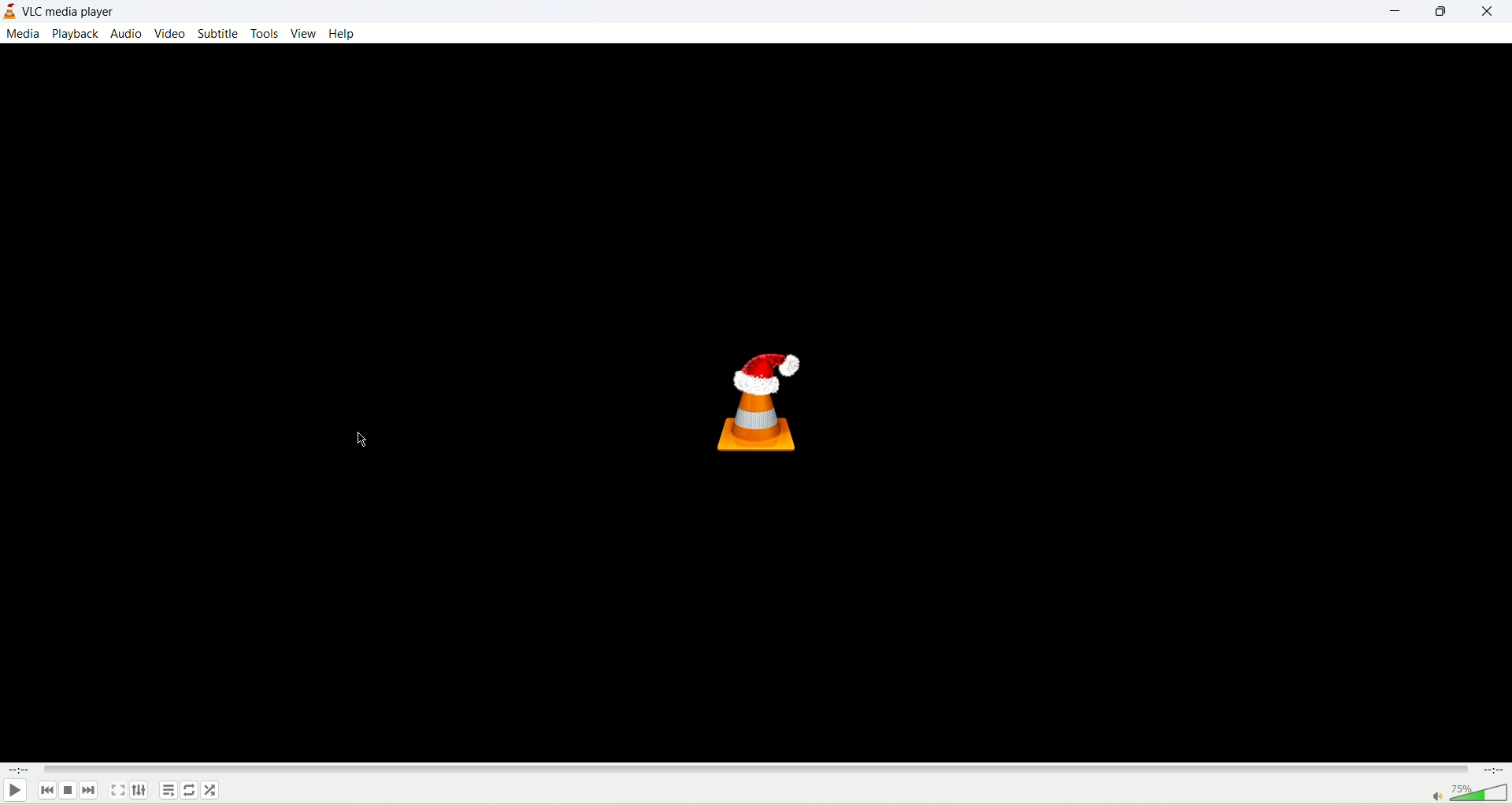 The width and height of the screenshot is (1512, 805). I want to click on time, so click(17, 773).